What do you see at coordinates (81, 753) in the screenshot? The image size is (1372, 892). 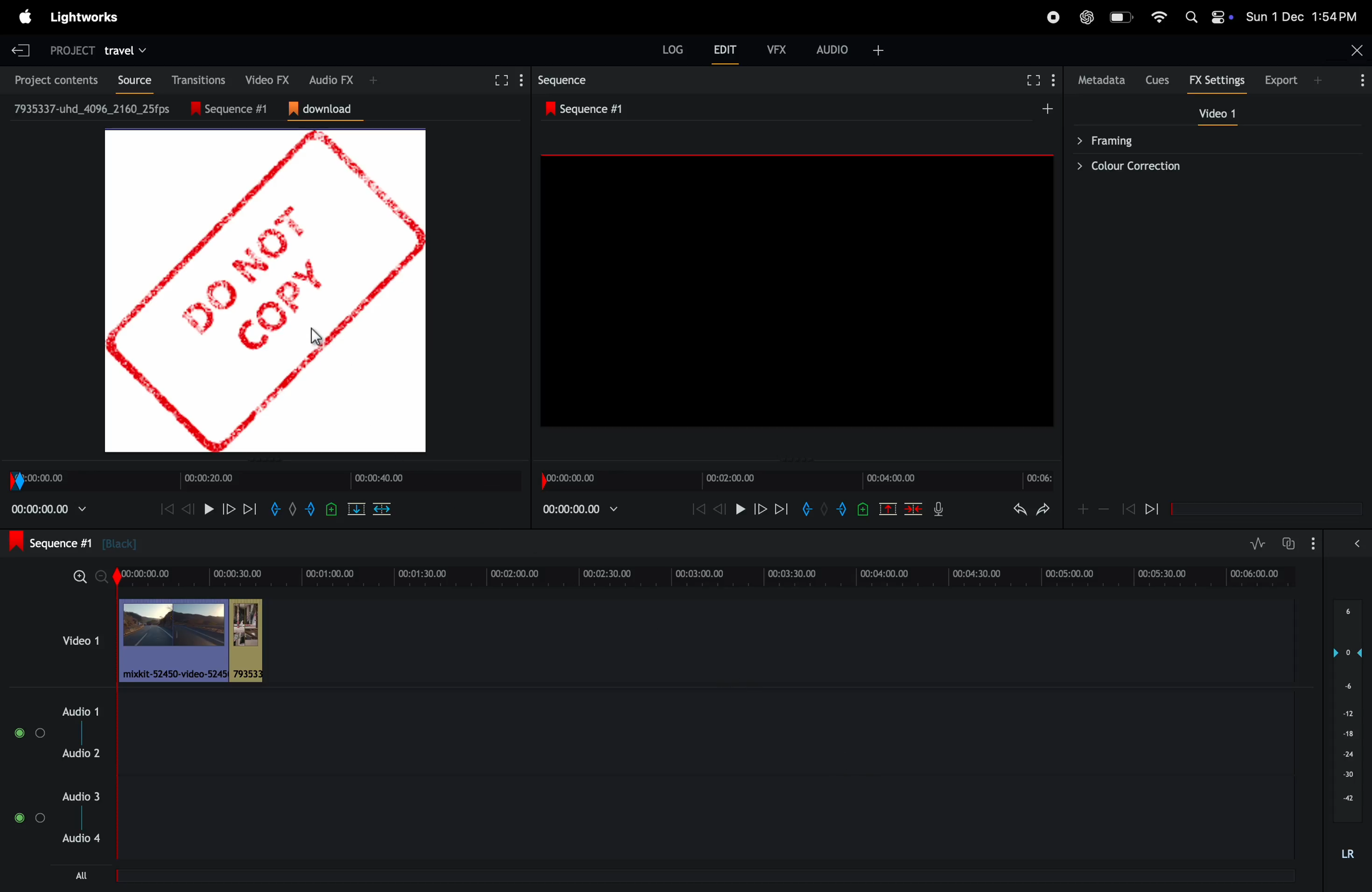 I see `audio 2` at bounding box center [81, 753].